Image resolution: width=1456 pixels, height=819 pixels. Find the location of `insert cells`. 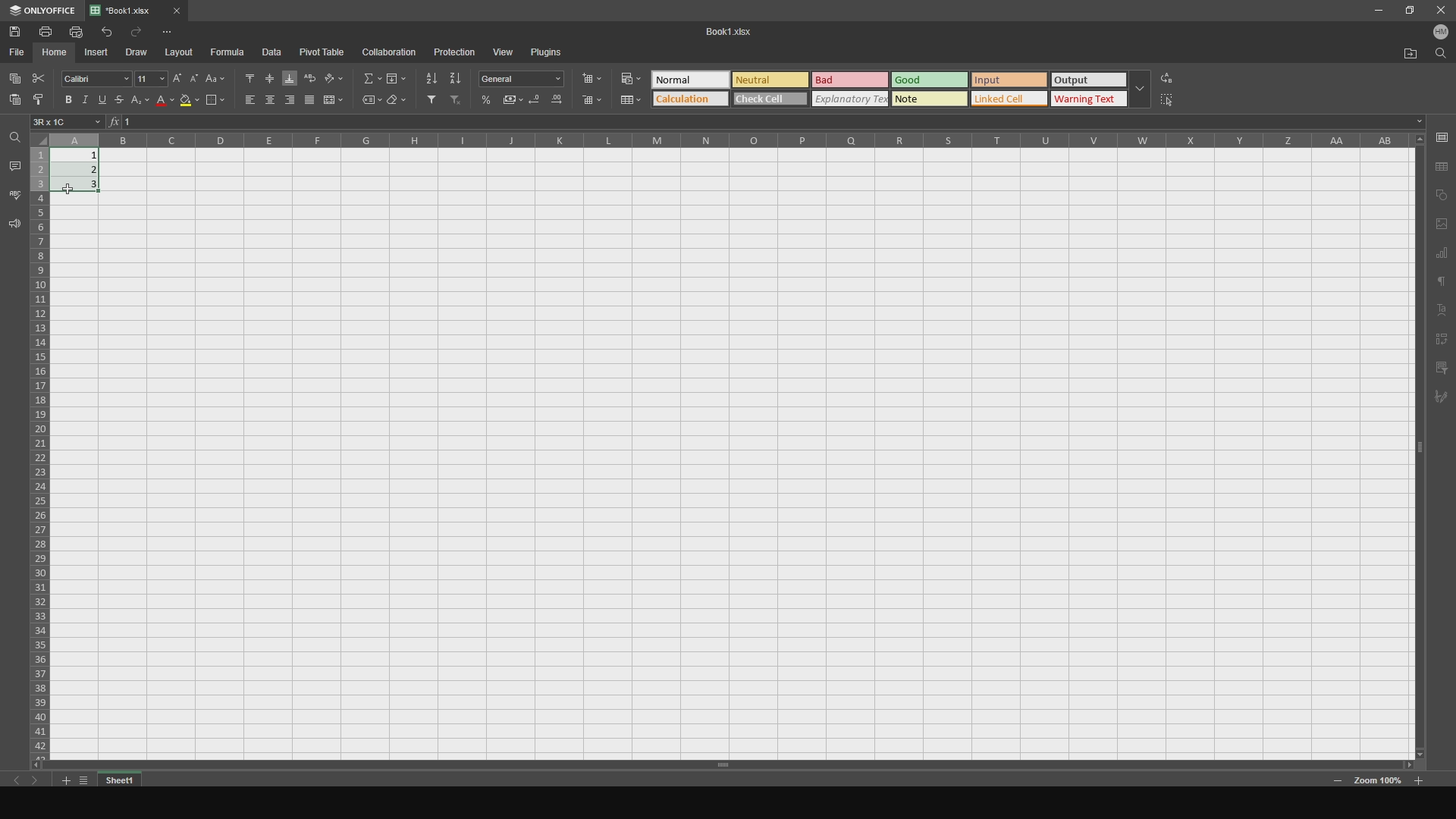

insert cells is located at coordinates (596, 79).